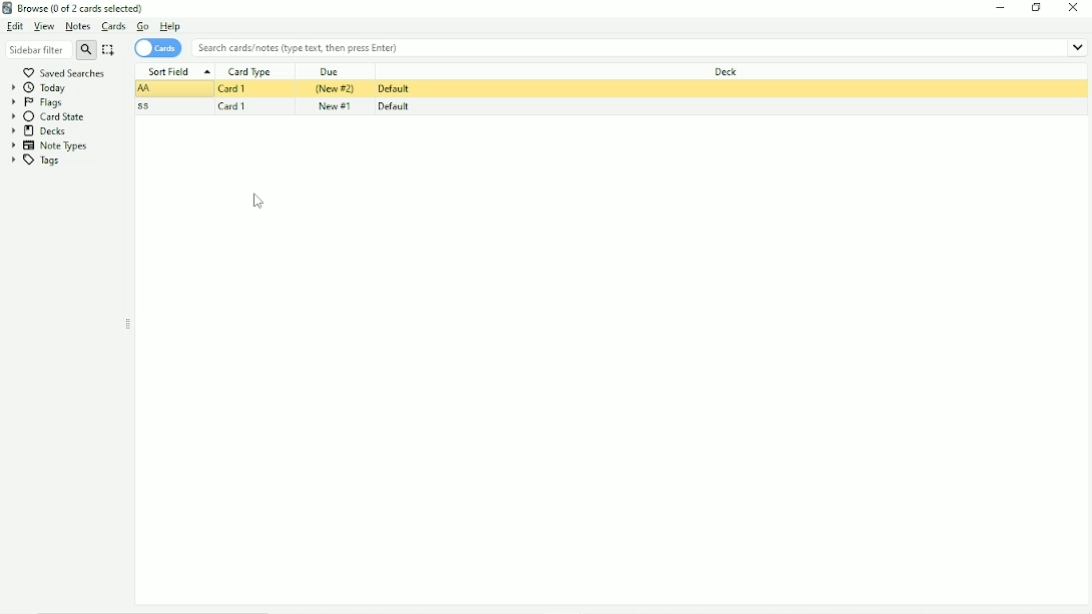 The width and height of the screenshot is (1092, 614). What do you see at coordinates (14, 27) in the screenshot?
I see `Edit` at bounding box center [14, 27].